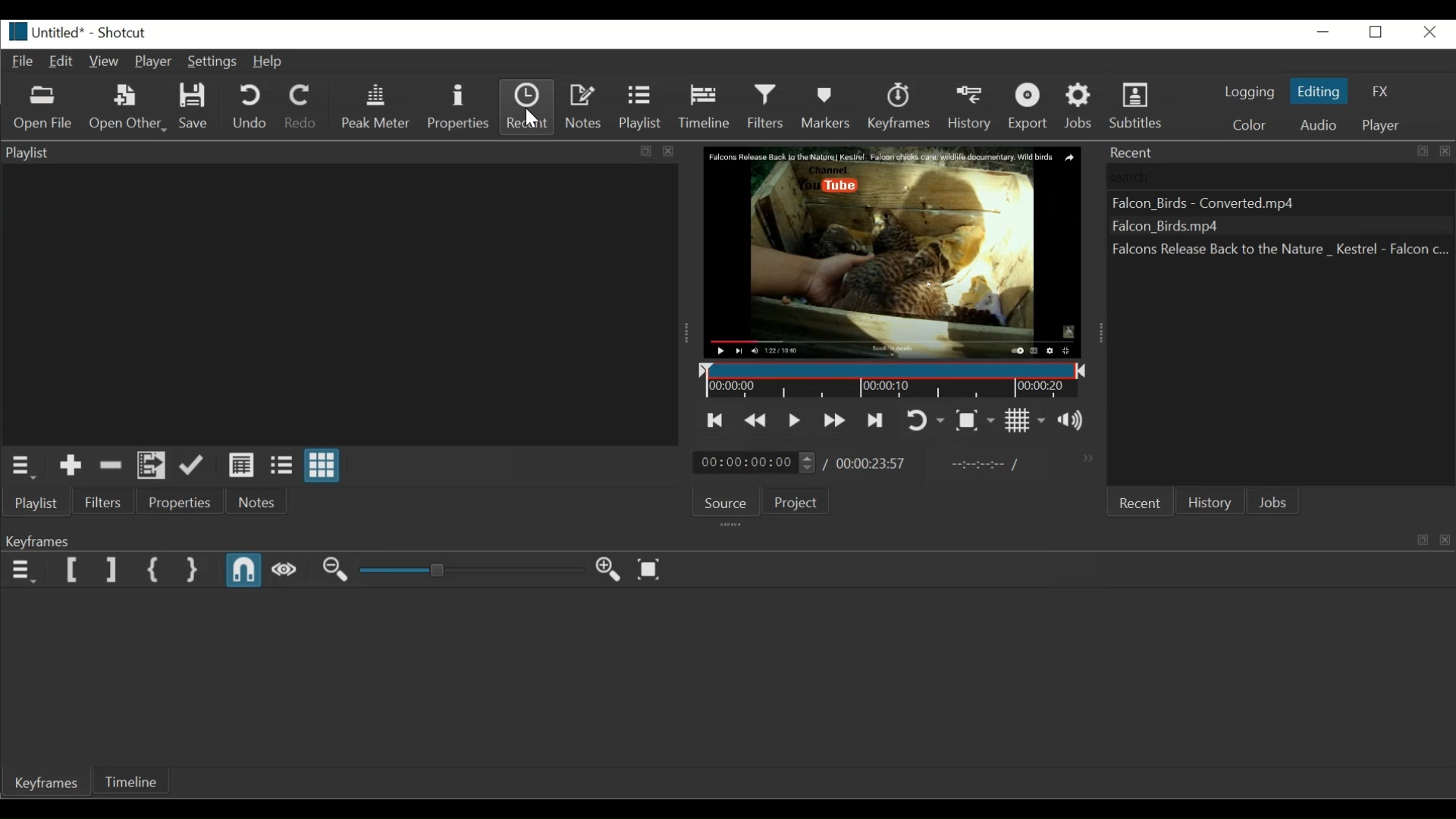 The width and height of the screenshot is (1456, 819). What do you see at coordinates (1271, 503) in the screenshot?
I see `Jobs` at bounding box center [1271, 503].